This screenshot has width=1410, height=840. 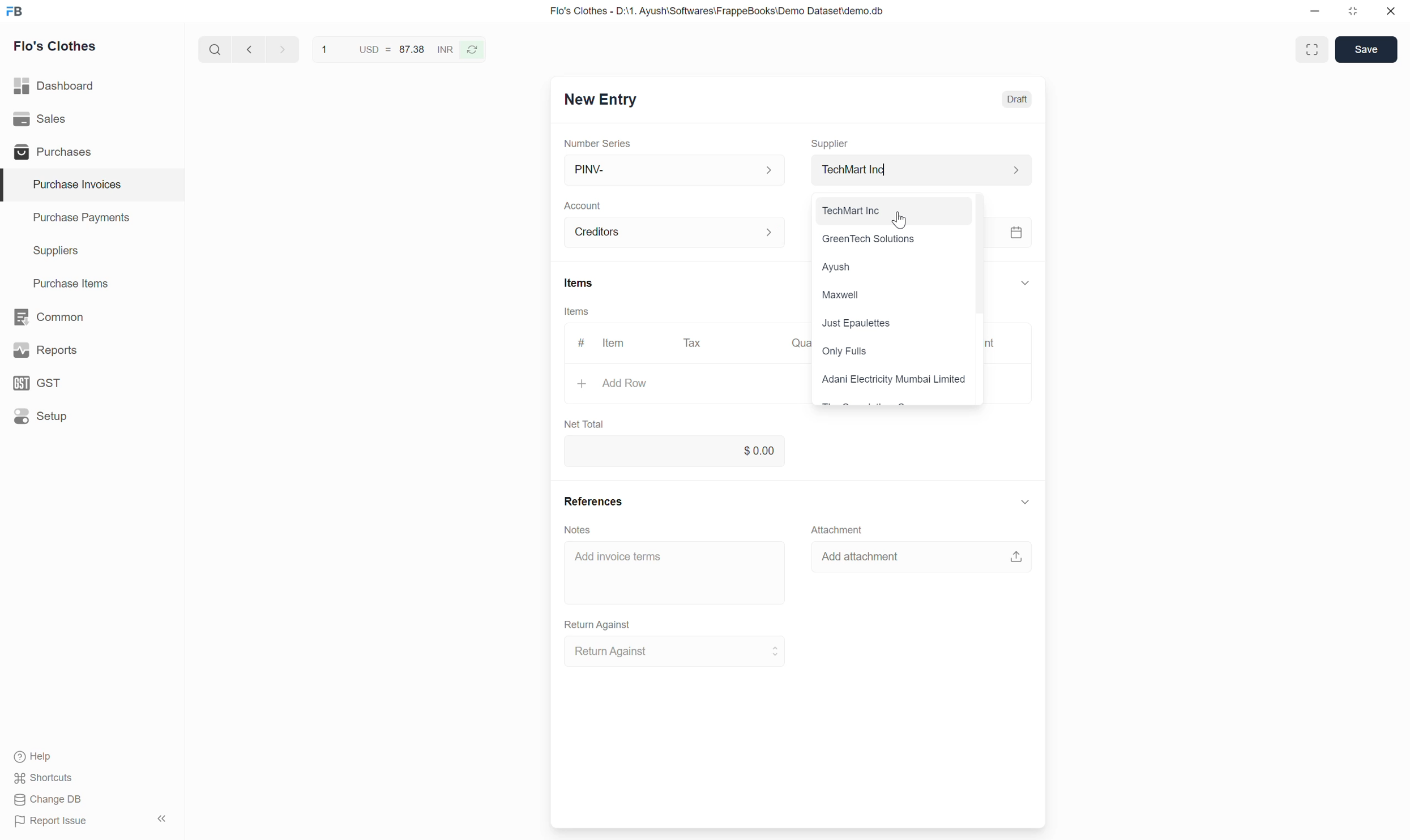 What do you see at coordinates (247, 50) in the screenshot?
I see `next` at bounding box center [247, 50].